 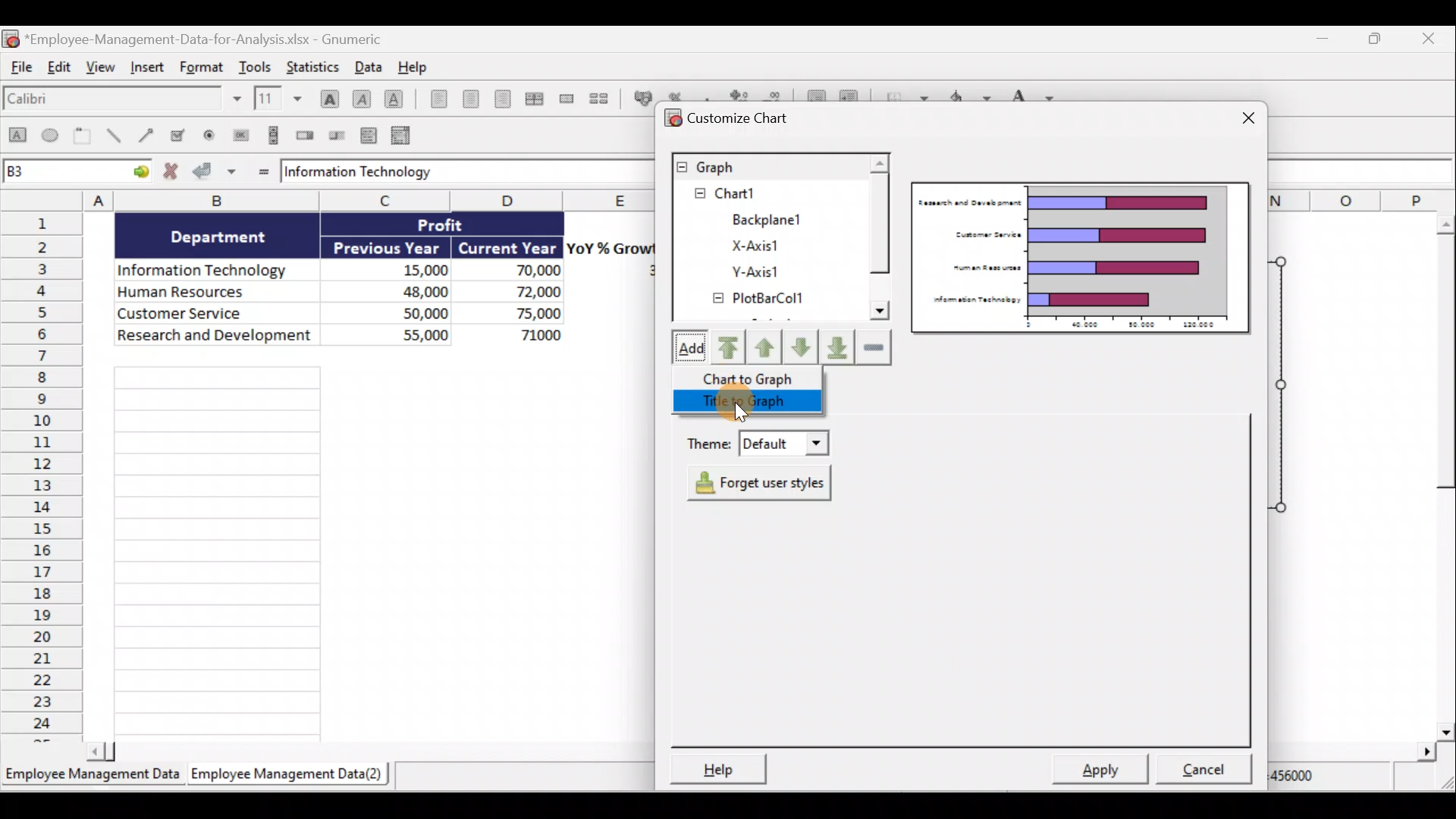 What do you see at coordinates (199, 68) in the screenshot?
I see `Format` at bounding box center [199, 68].